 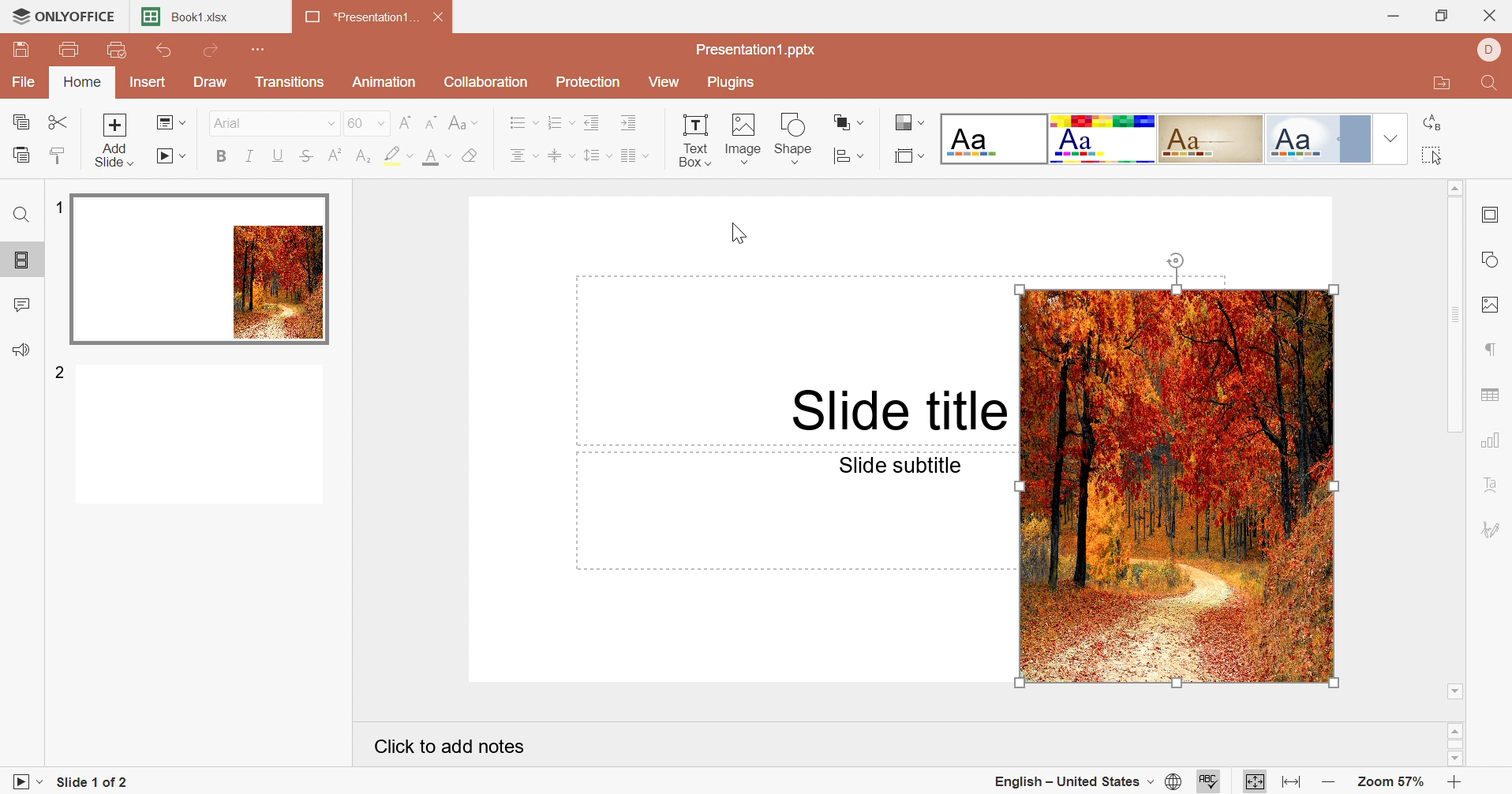 What do you see at coordinates (190, 17) in the screenshot?
I see `Book1.xlsx` at bounding box center [190, 17].